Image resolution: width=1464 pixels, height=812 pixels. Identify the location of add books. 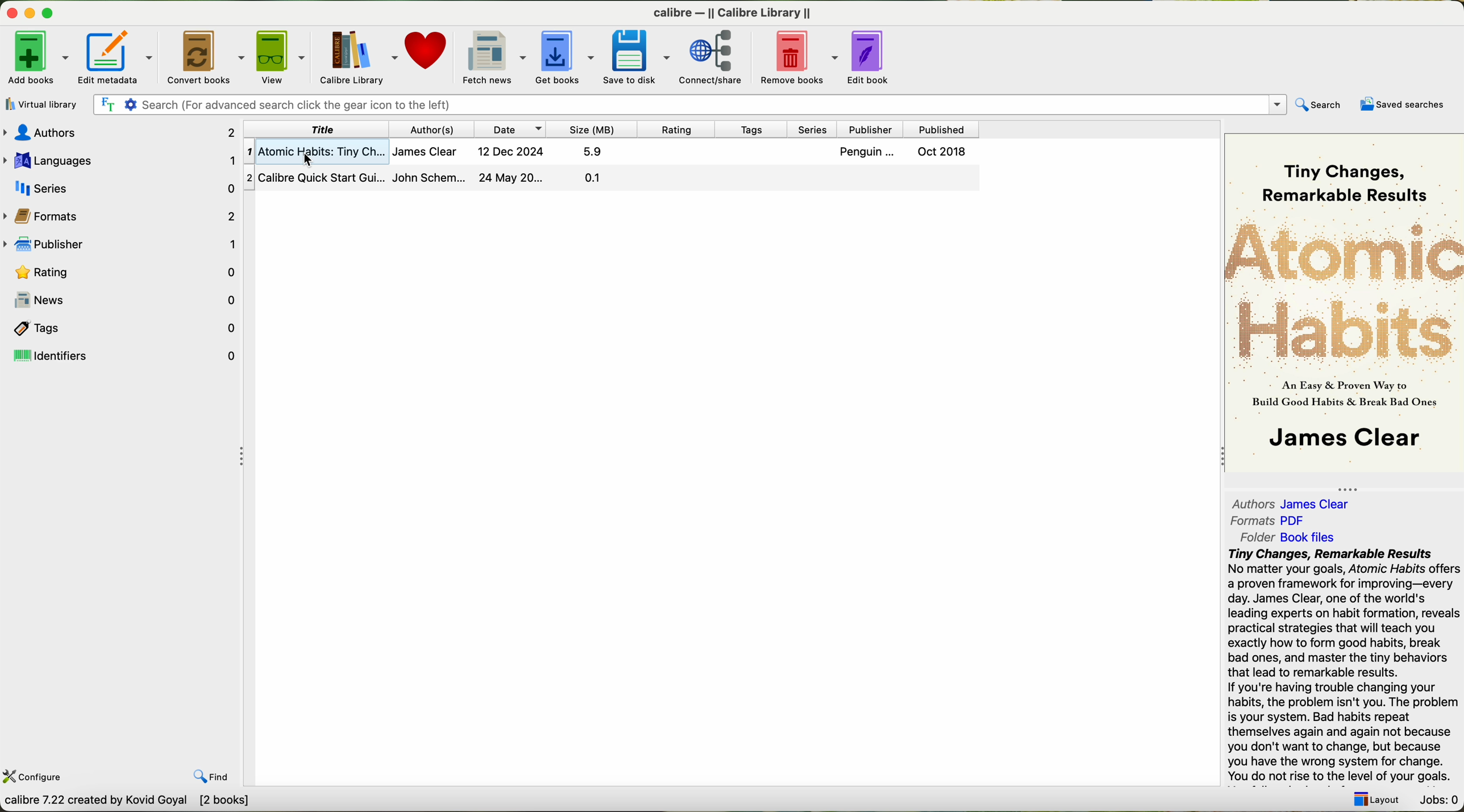
(38, 57).